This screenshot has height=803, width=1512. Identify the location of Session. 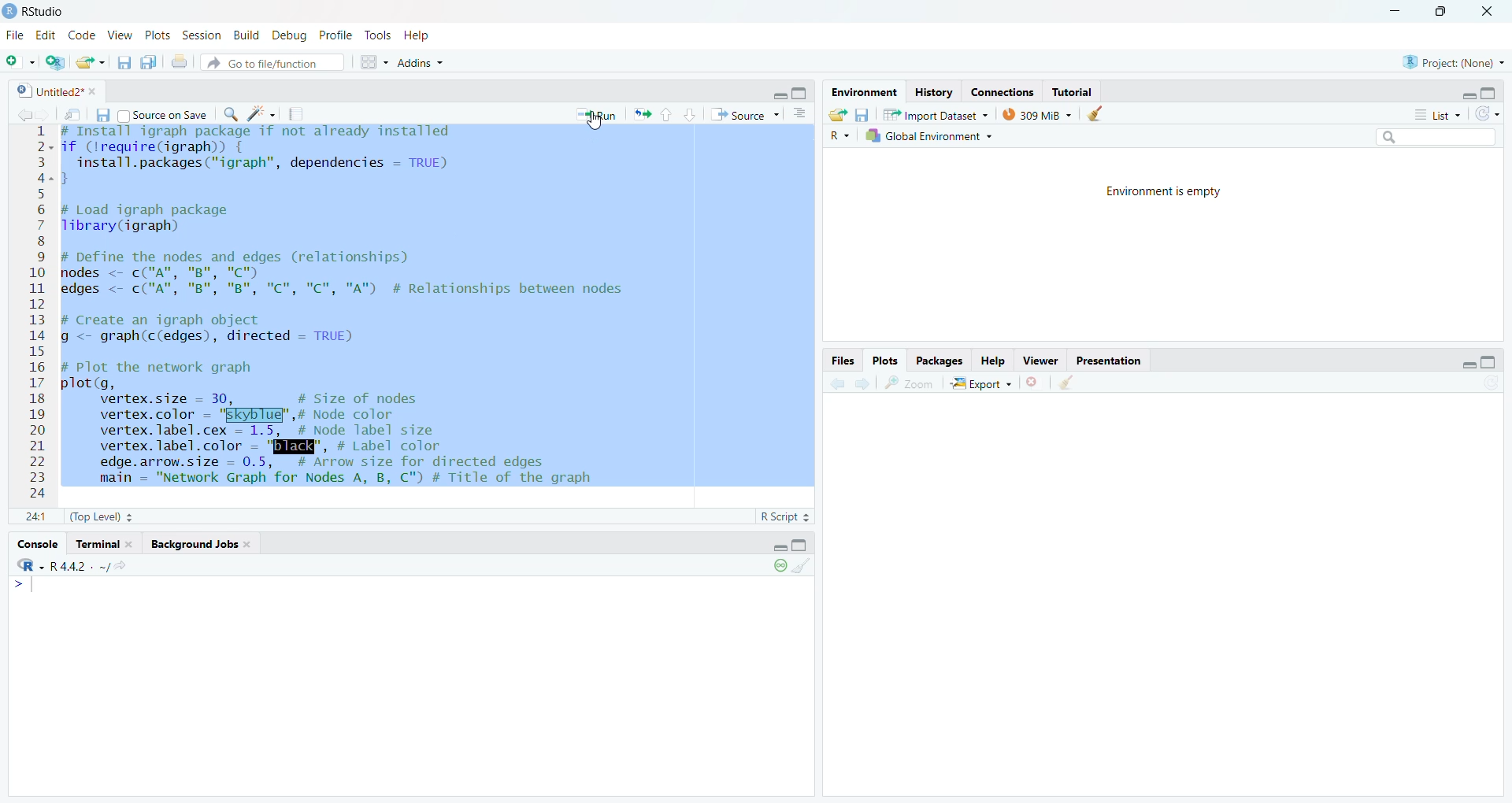
(200, 35).